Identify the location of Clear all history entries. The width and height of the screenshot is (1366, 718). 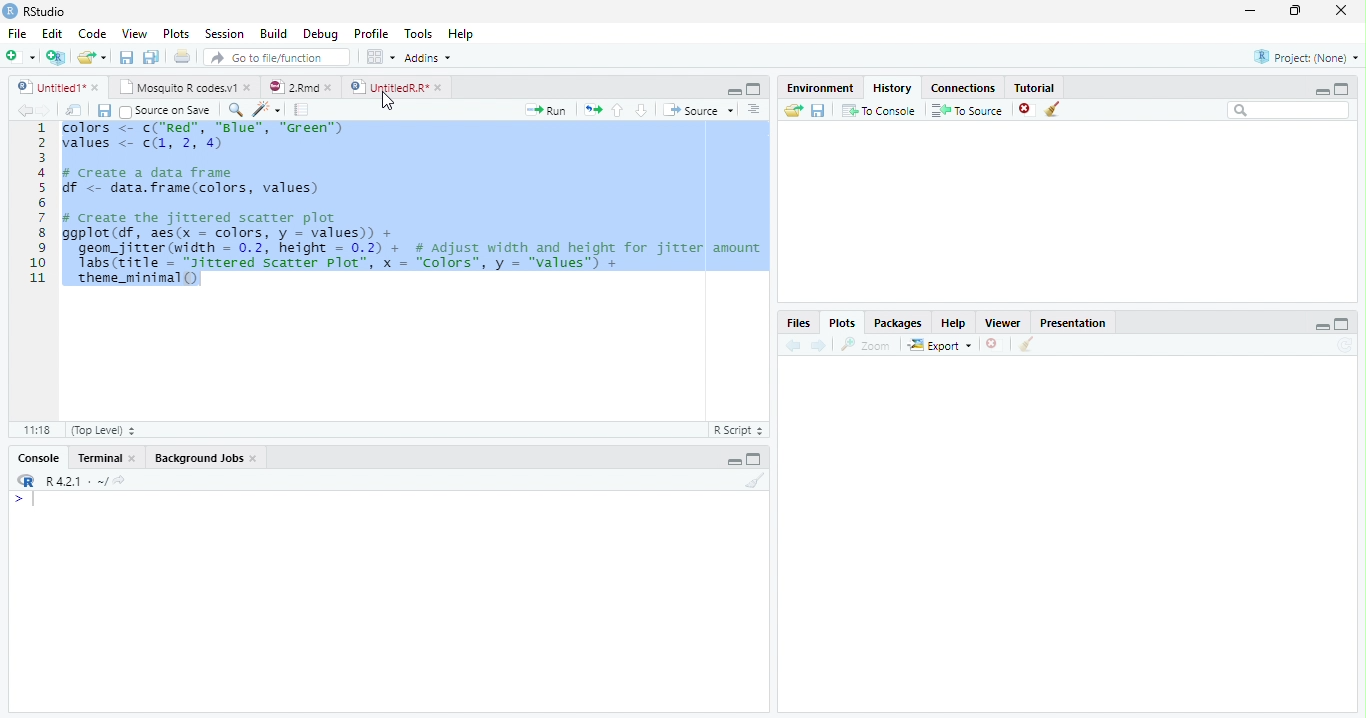
(1055, 109).